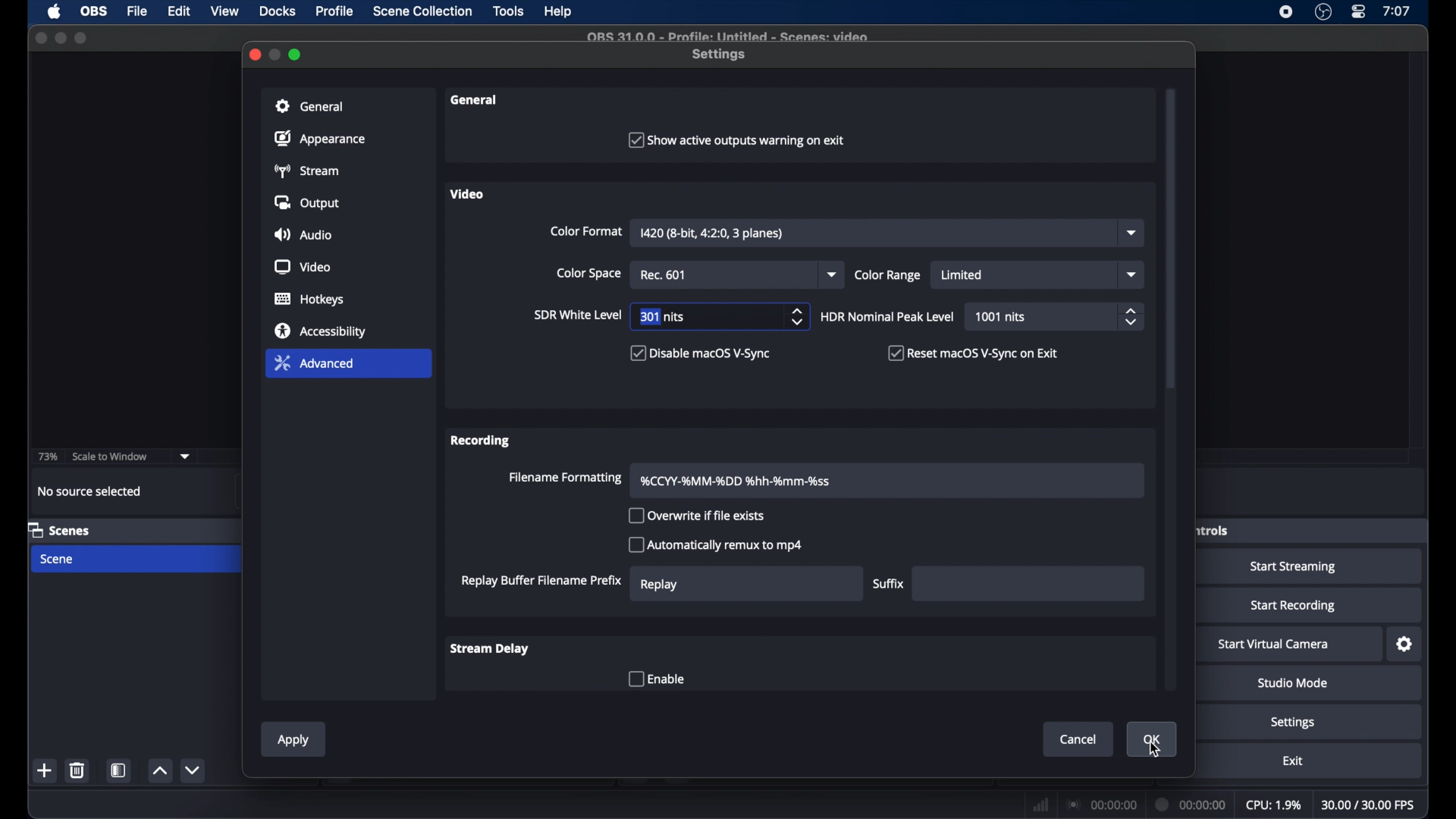 This screenshot has width=1456, height=819. What do you see at coordinates (887, 317) in the screenshot?
I see `HDR nominal peak level` at bounding box center [887, 317].